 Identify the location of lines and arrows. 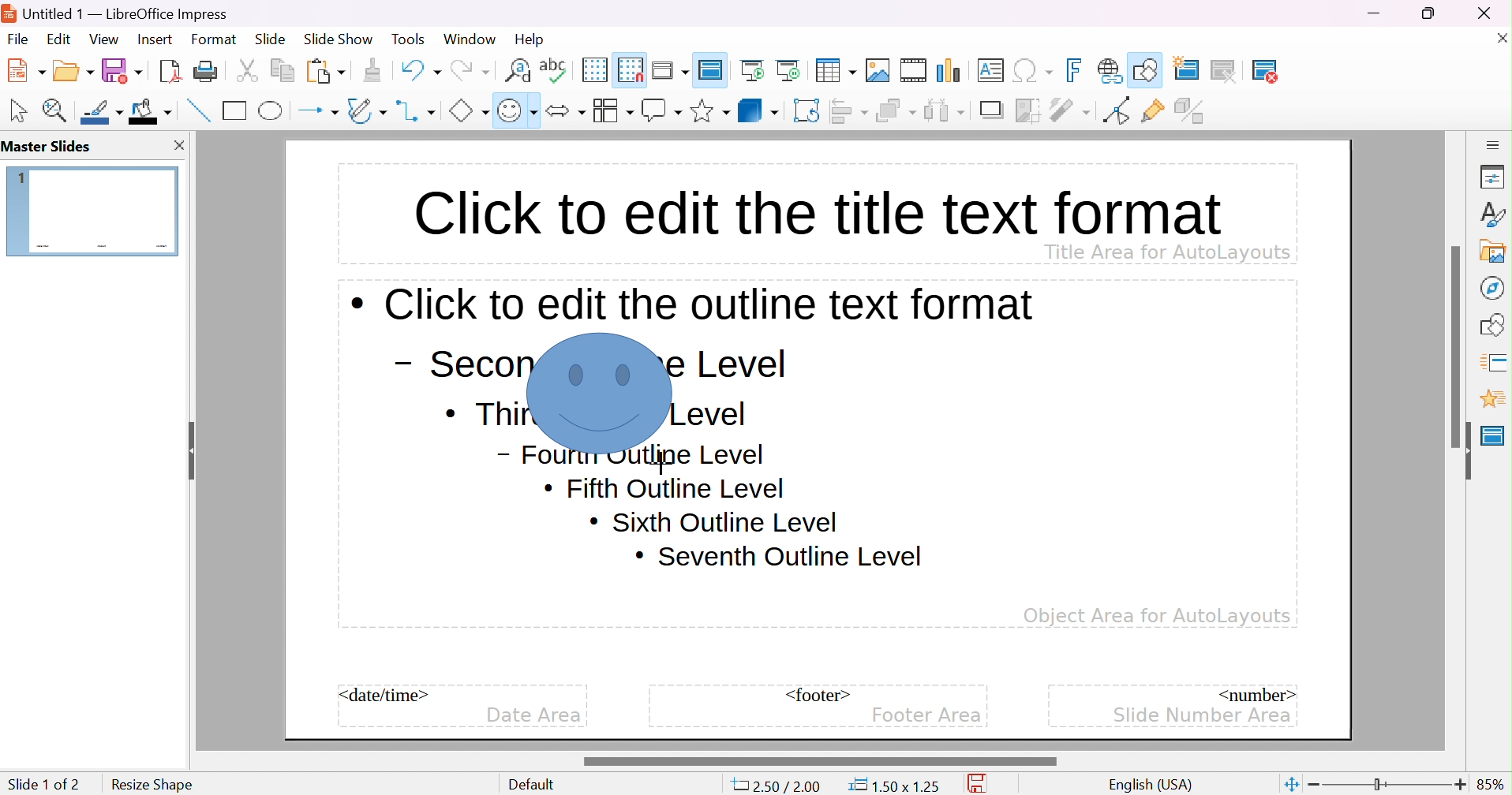
(318, 111).